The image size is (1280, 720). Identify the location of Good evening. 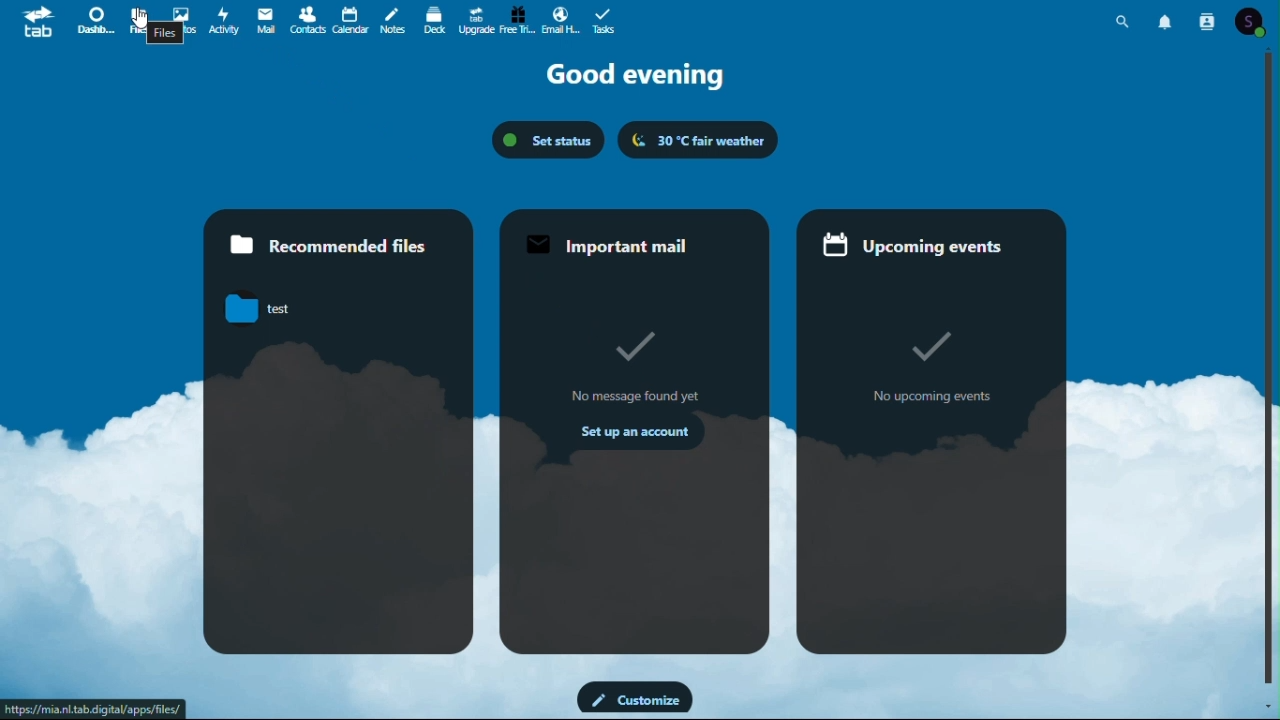
(634, 73).